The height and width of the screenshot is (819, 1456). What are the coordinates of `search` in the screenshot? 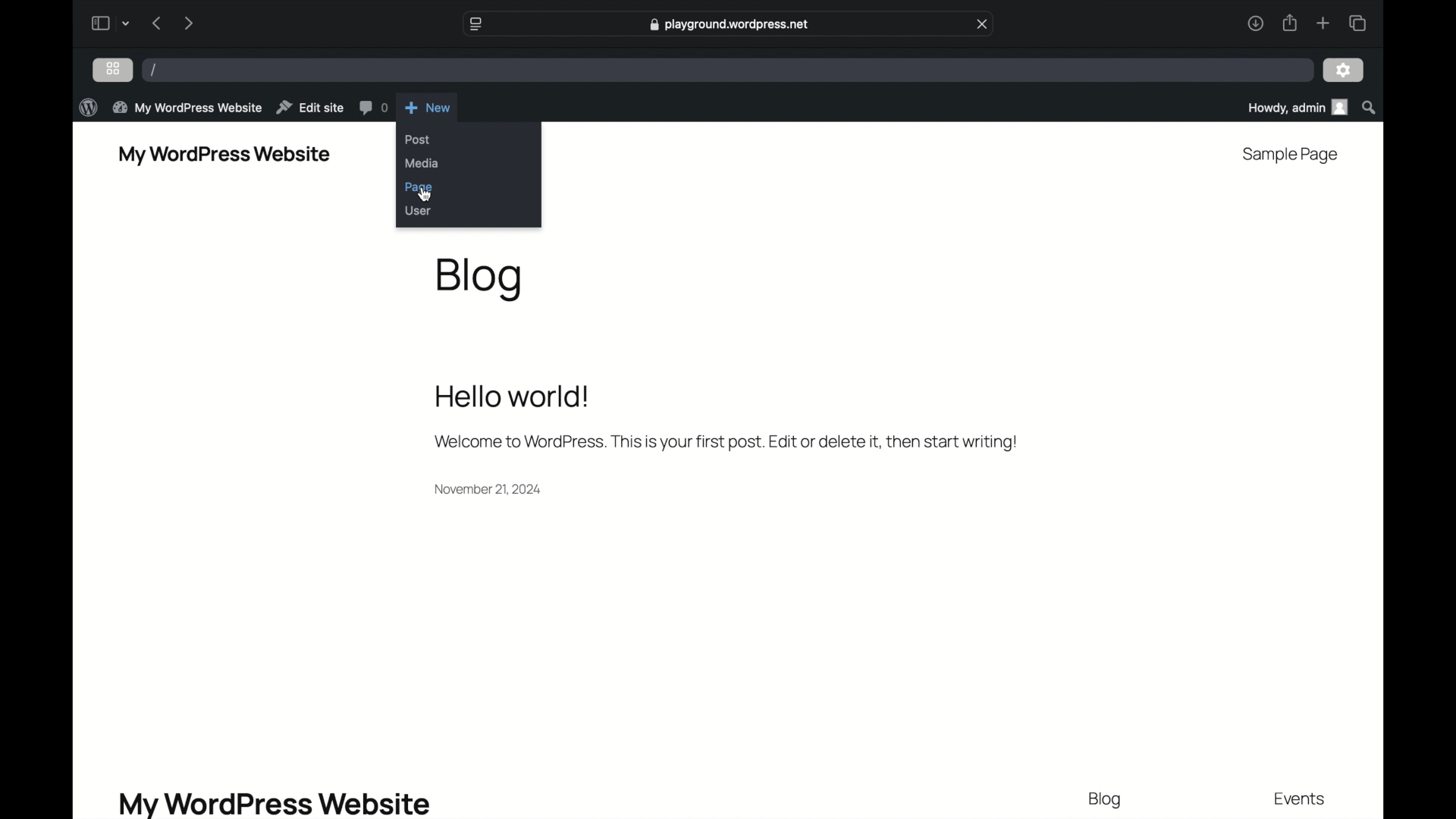 It's located at (1370, 107).